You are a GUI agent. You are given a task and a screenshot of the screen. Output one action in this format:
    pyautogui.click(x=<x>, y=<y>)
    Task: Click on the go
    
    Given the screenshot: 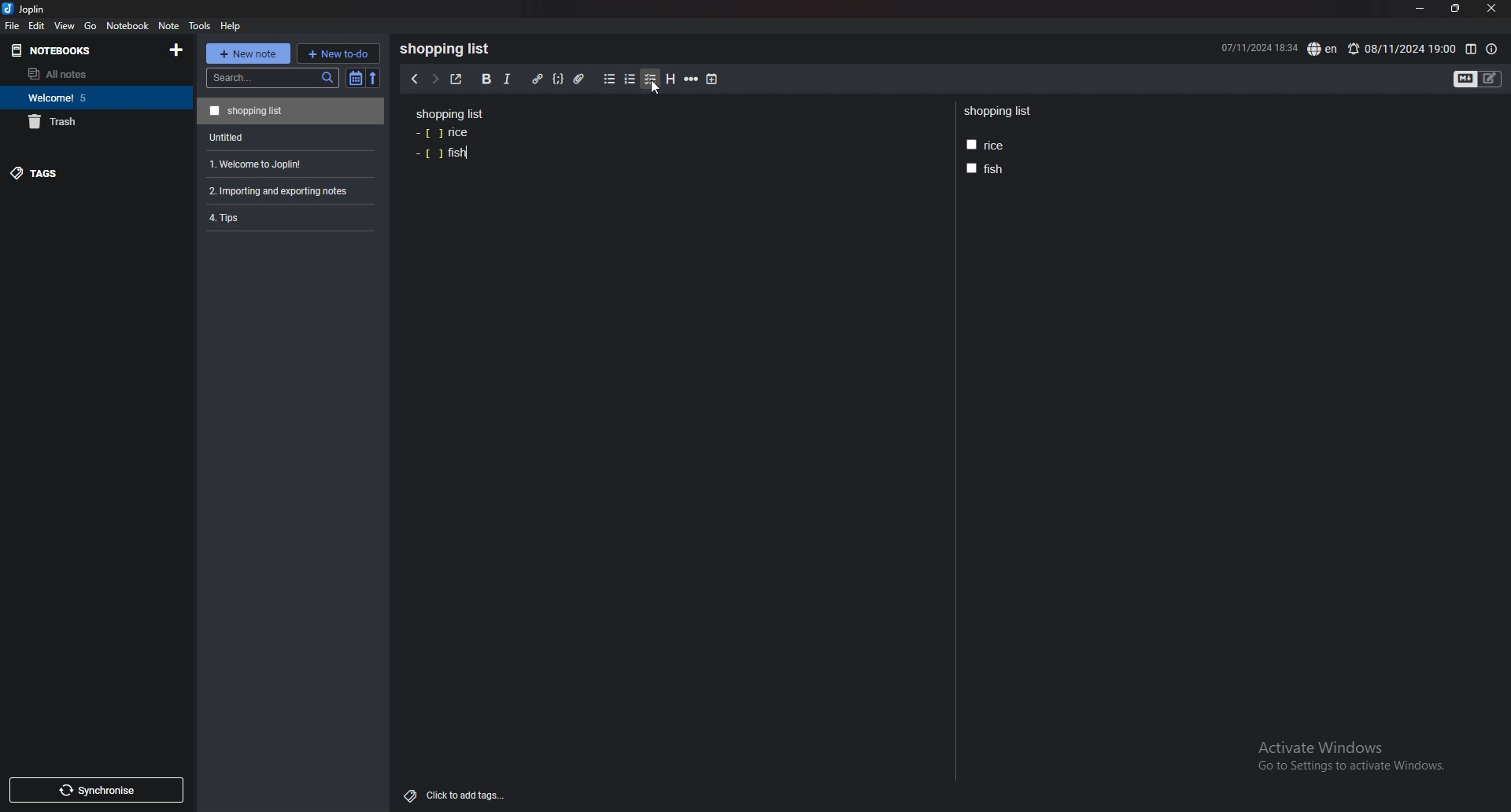 What is the action you would take?
    pyautogui.click(x=91, y=27)
    